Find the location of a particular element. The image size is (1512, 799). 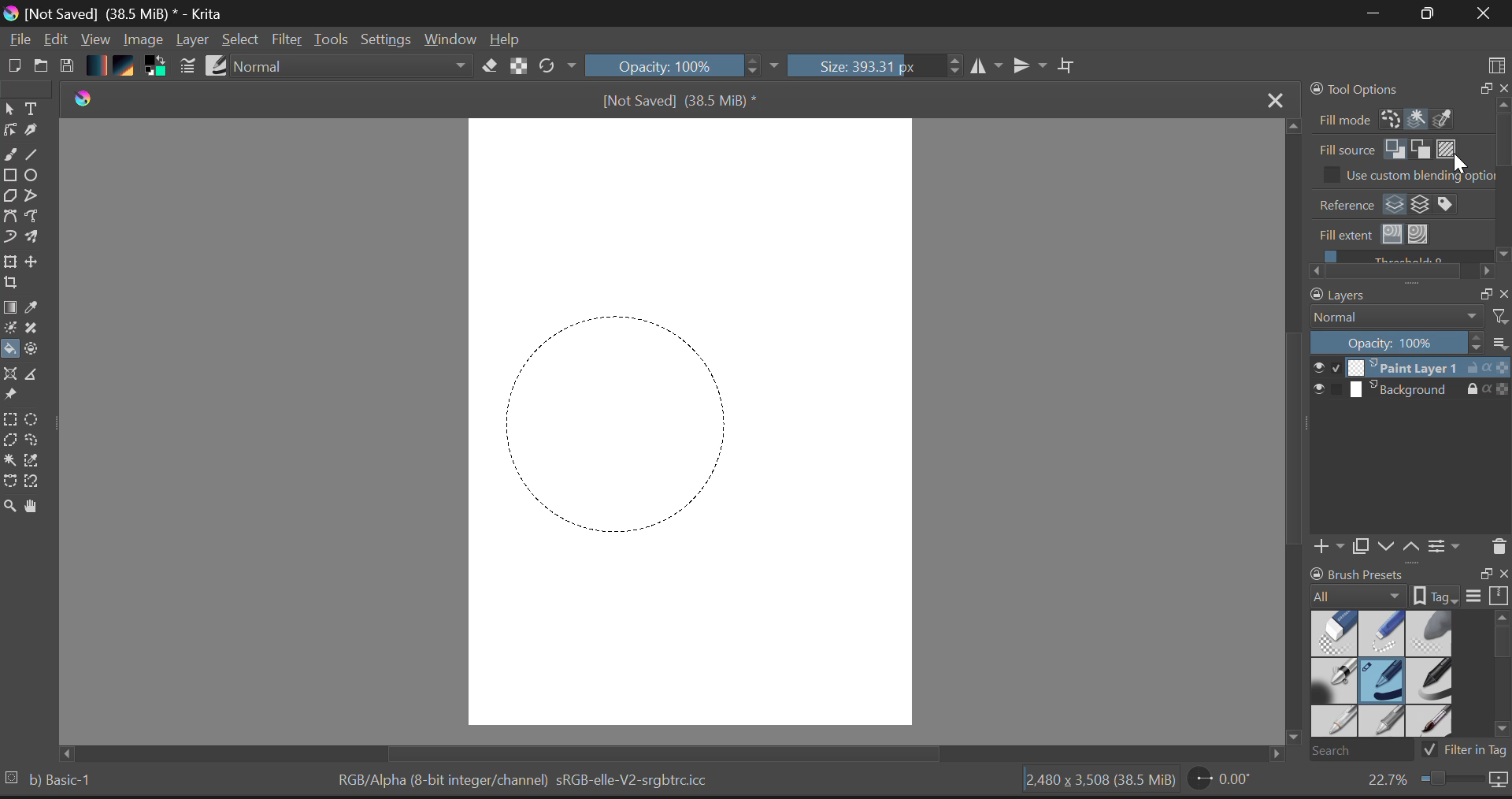

Close is located at coordinates (1271, 98).